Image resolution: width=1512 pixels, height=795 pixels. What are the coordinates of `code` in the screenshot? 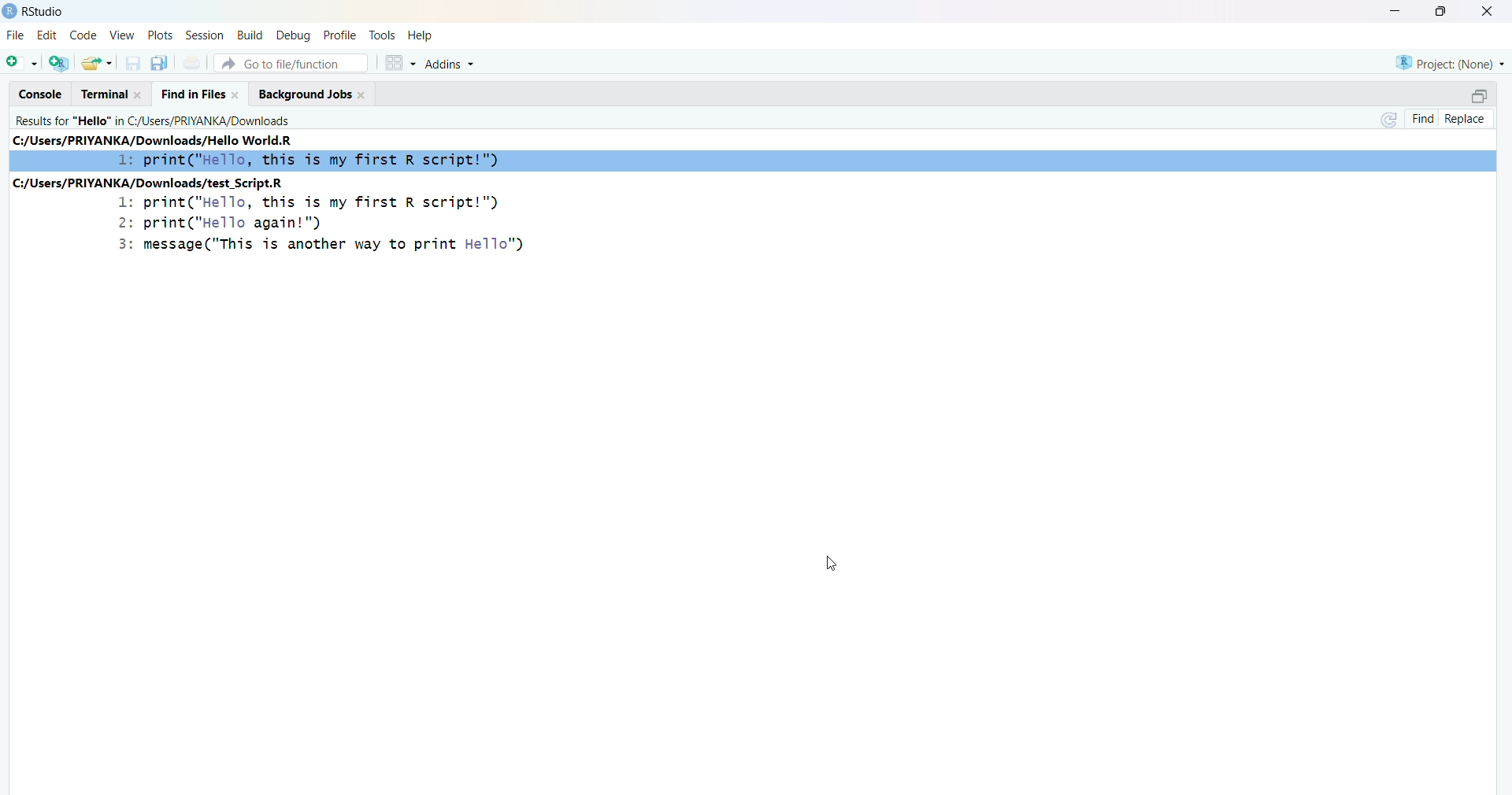 It's located at (83, 35).